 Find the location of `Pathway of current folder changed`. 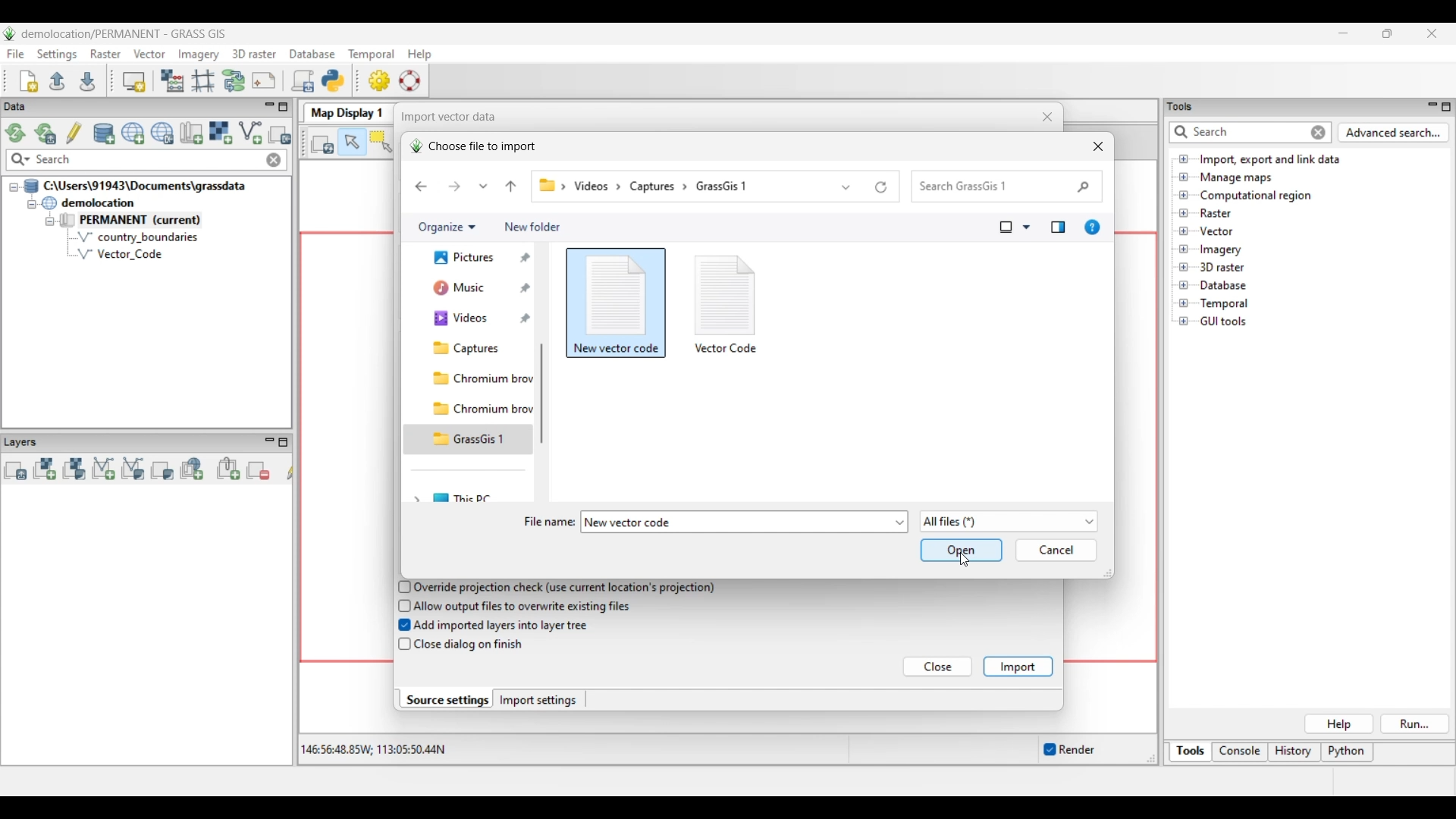

Pathway of current folder changed is located at coordinates (550, 186).